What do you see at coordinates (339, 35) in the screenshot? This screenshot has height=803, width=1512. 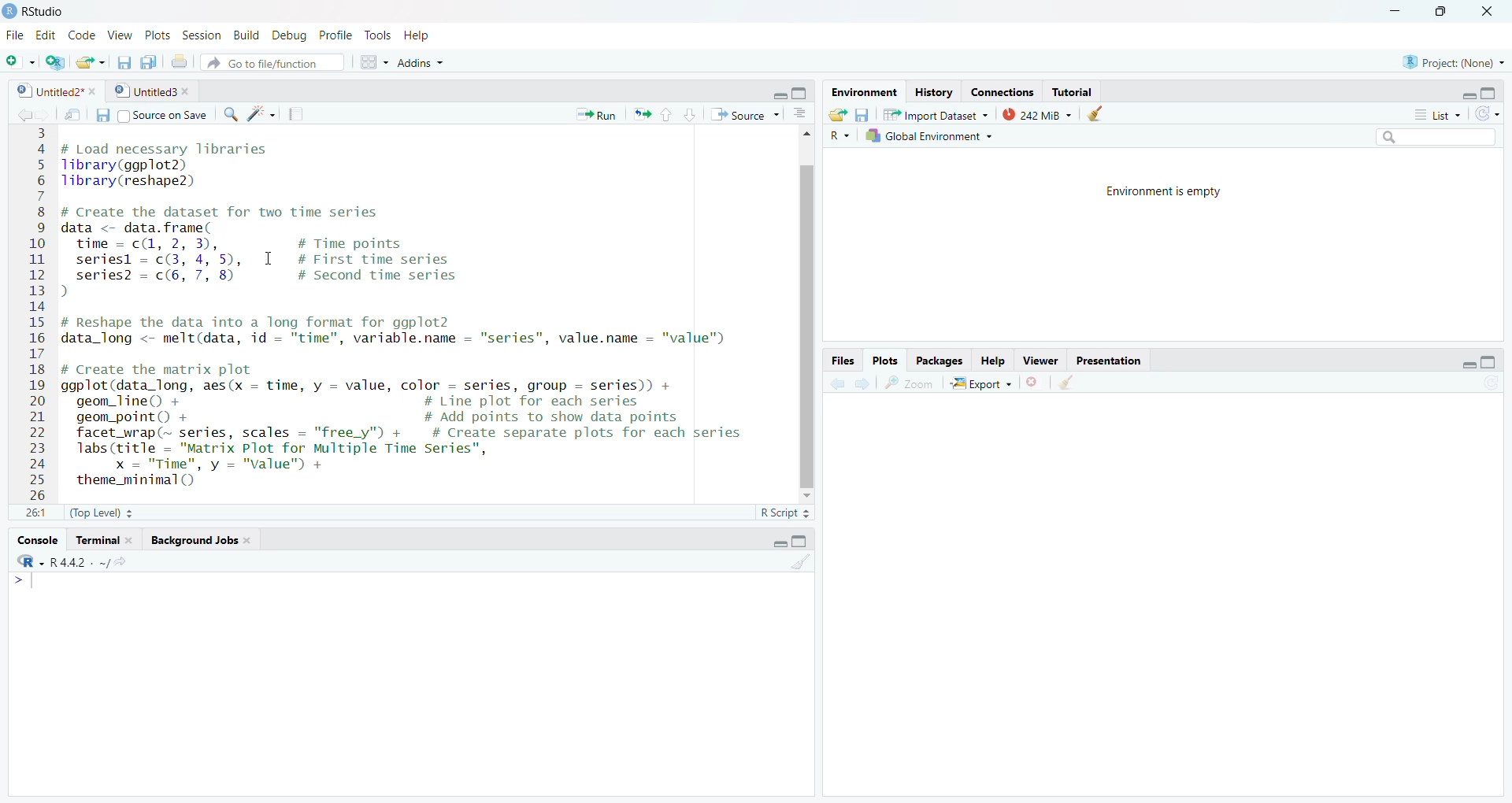 I see `Profile` at bounding box center [339, 35].